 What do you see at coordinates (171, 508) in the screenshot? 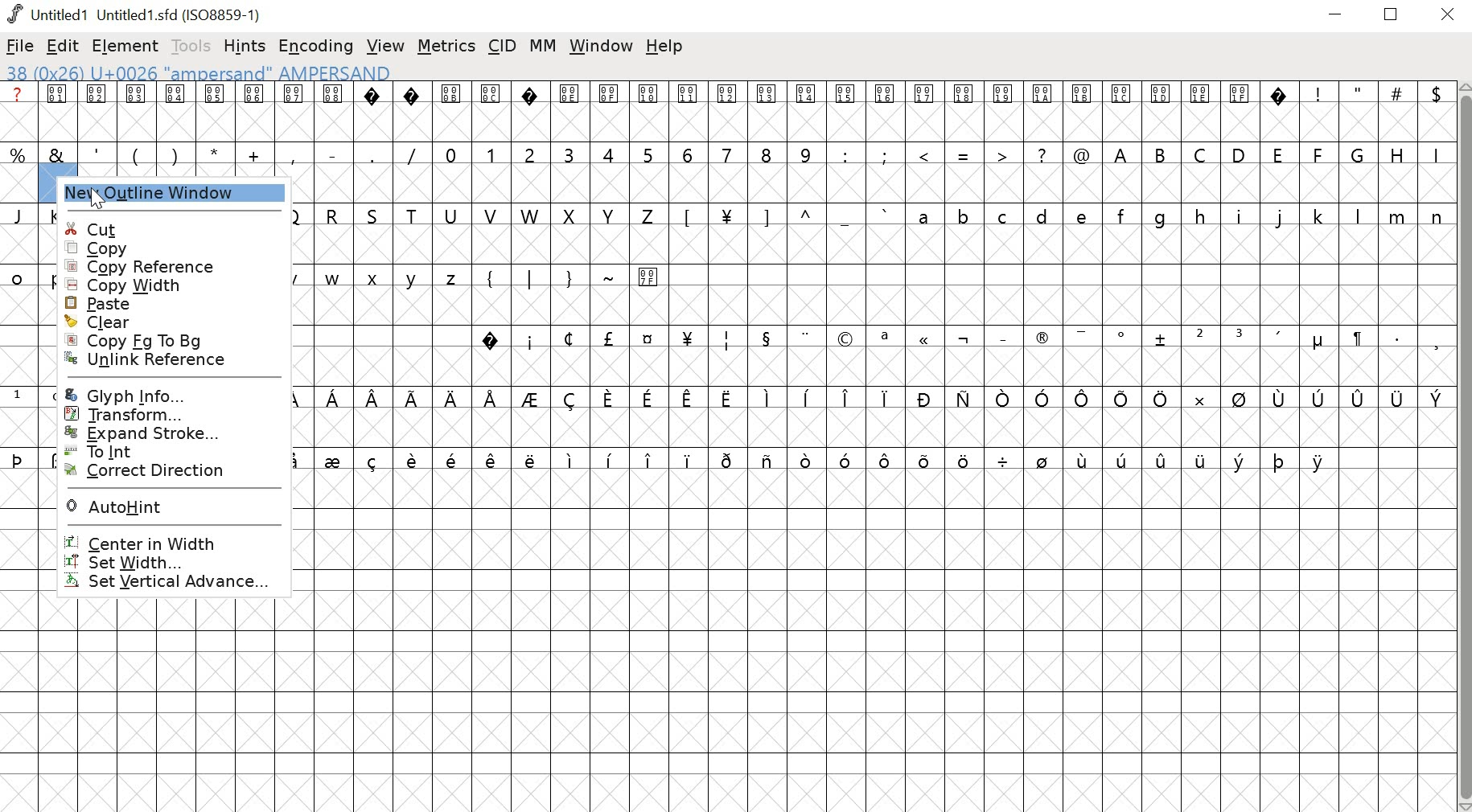
I see `auto hint` at bounding box center [171, 508].